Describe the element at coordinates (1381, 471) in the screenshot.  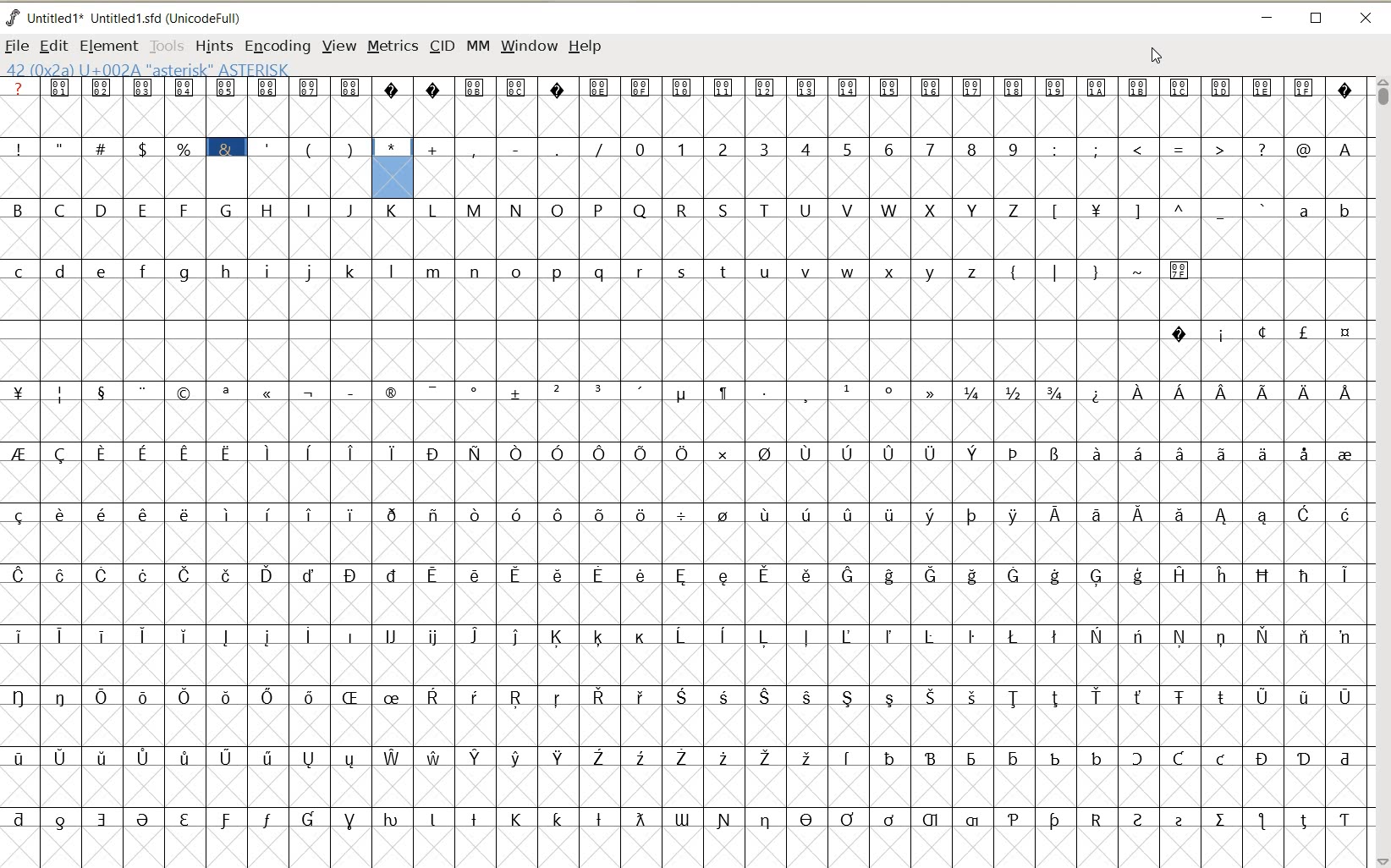
I see `SCROLLBAR` at that location.